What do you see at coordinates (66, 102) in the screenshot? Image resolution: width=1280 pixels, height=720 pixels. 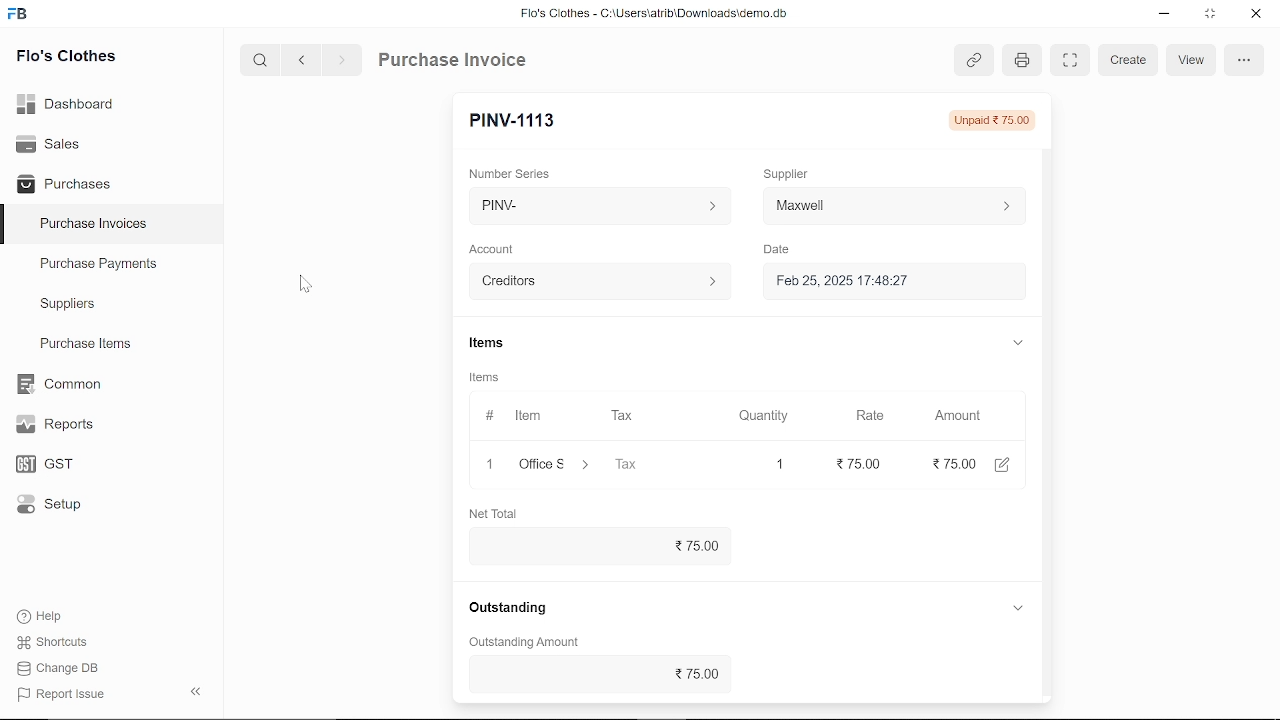 I see `Dashboard` at bounding box center [66, 102].